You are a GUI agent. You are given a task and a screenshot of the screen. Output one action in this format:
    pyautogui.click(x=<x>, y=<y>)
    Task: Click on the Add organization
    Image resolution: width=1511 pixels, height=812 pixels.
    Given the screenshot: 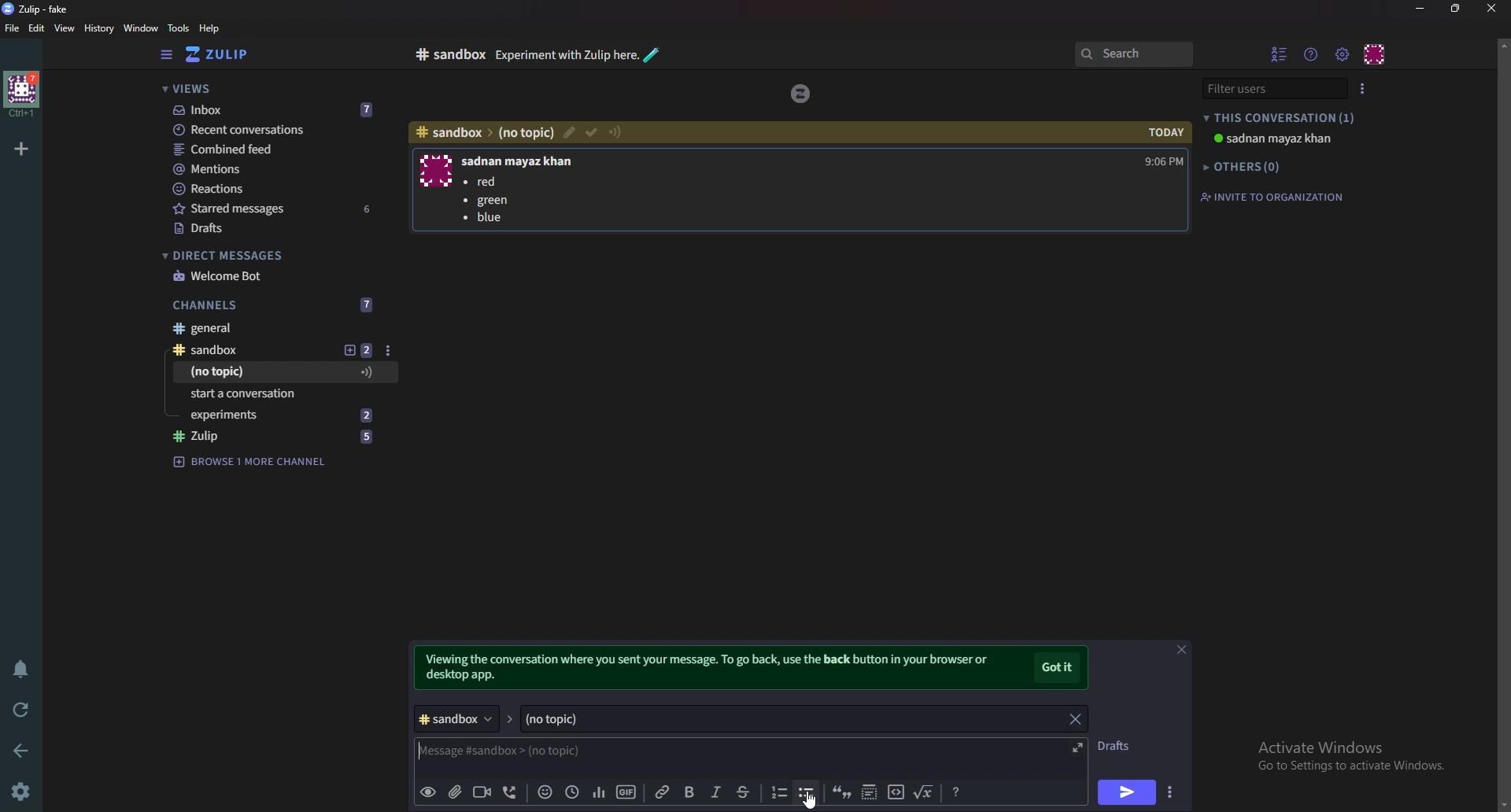 What is the action you would take?
    pyautogui.click(x=20, y=148)
    